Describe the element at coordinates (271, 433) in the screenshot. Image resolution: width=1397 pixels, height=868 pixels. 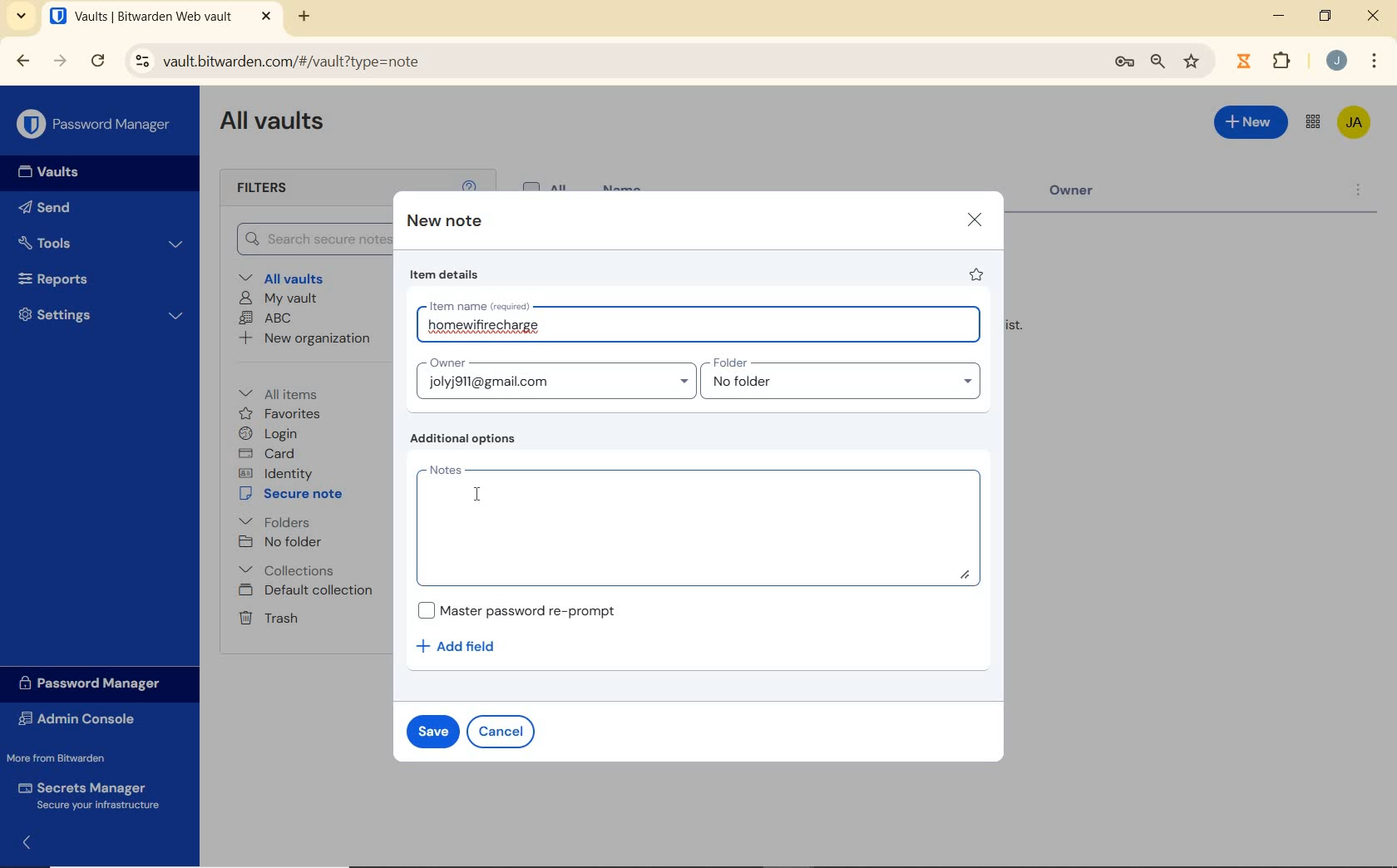
I see `login` at that location.